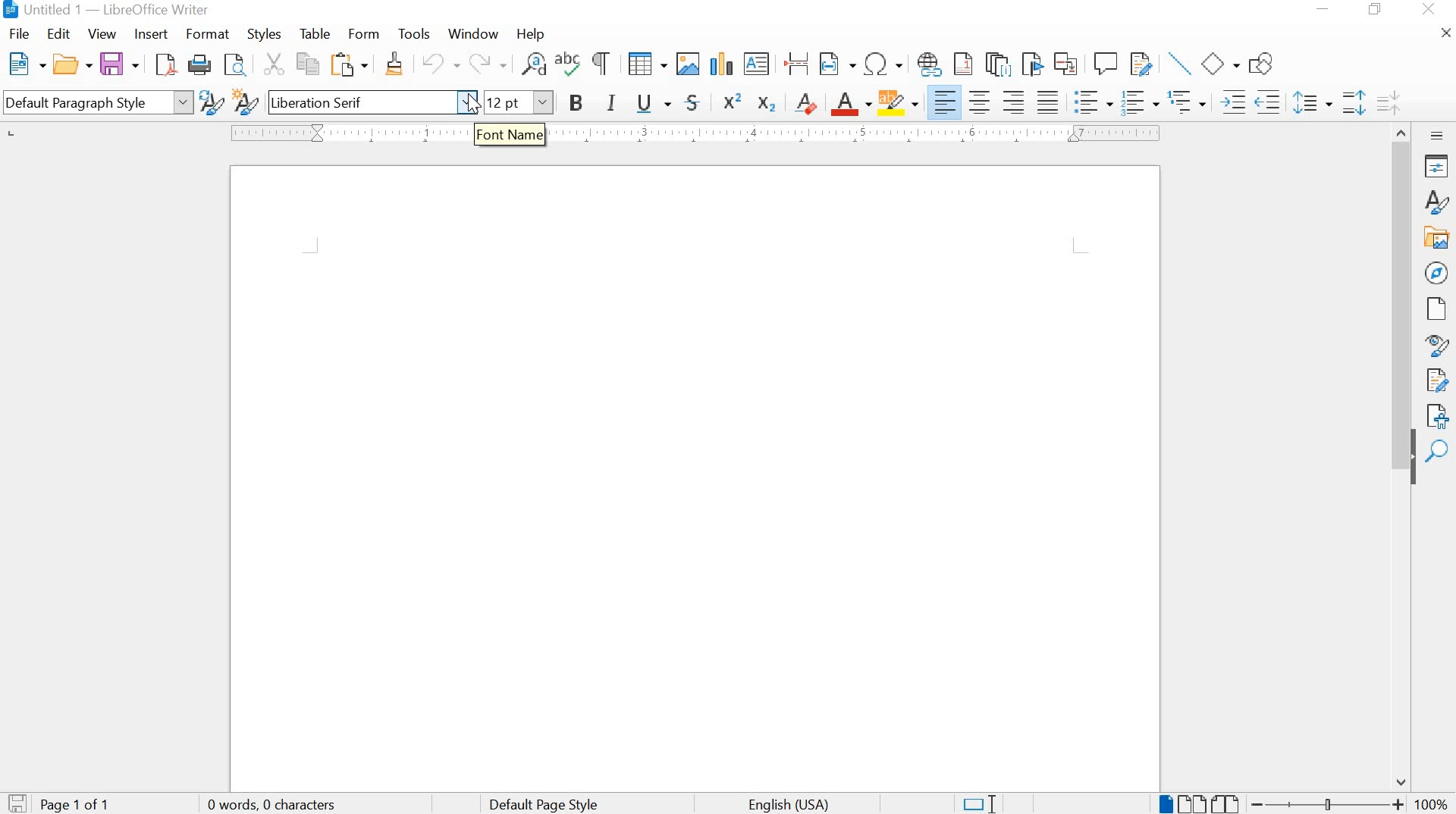 The width and height of the screenshot is (1456, 814). What do you see at coordinates (1187, 102) in the screenshot?
I see `SELECT OUTLINE FORMAT` at bounding box center [1187, 102].